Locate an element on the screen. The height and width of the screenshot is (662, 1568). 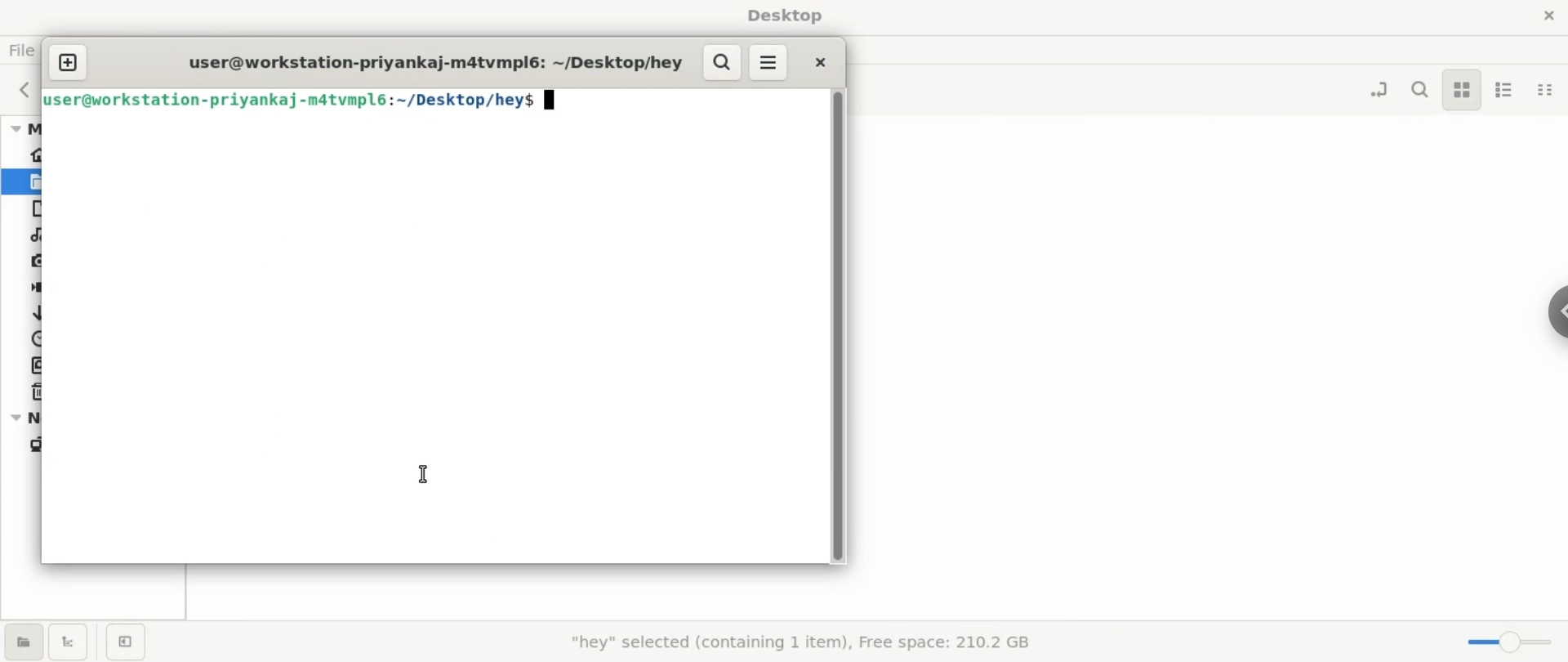
show treeview is located at coordinates (74, 642).